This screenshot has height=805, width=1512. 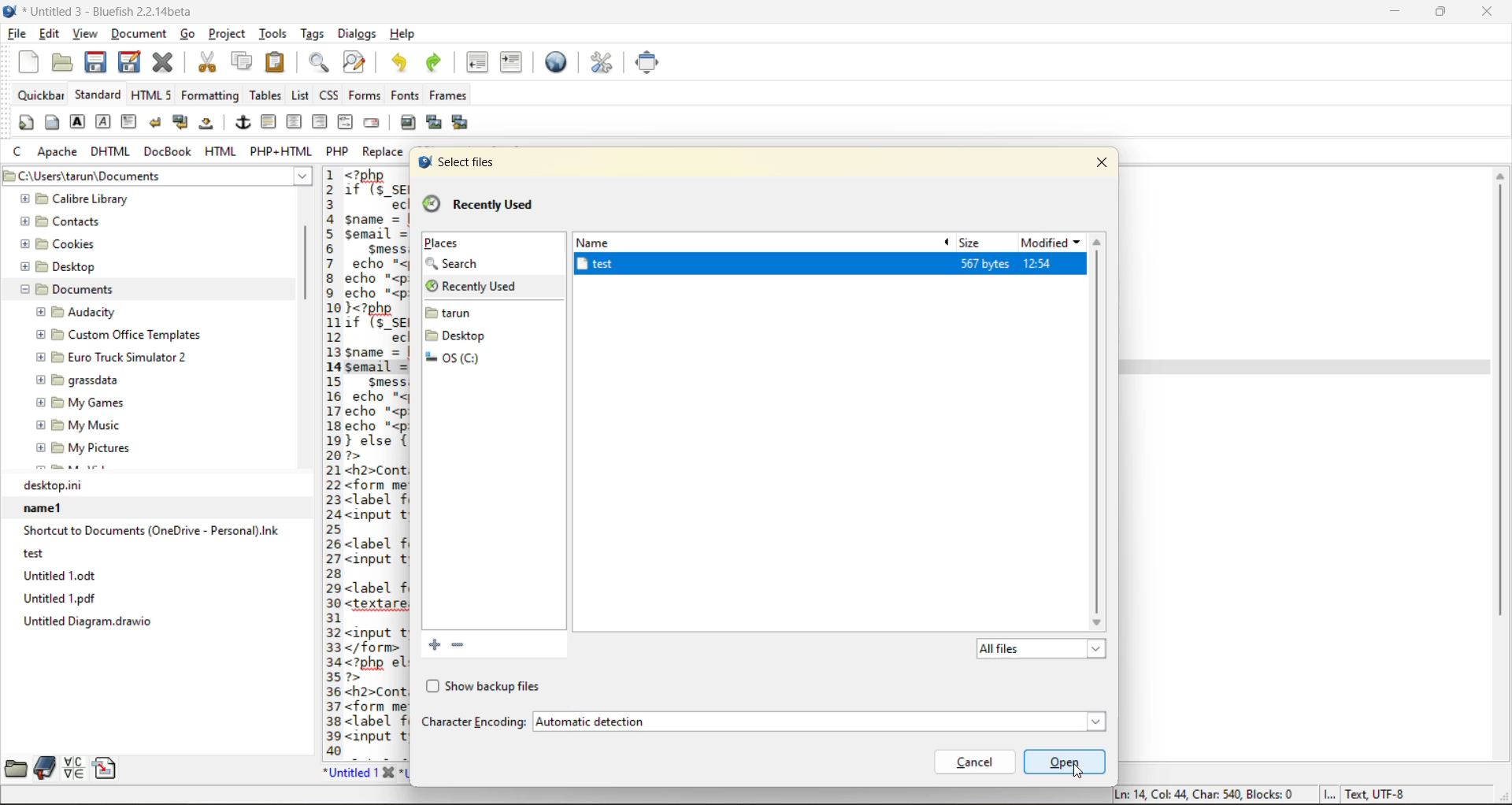 What do you see at coordinates (481, 63) in the screenshot?
I see `unindent ` at bounding box center [481, 63].